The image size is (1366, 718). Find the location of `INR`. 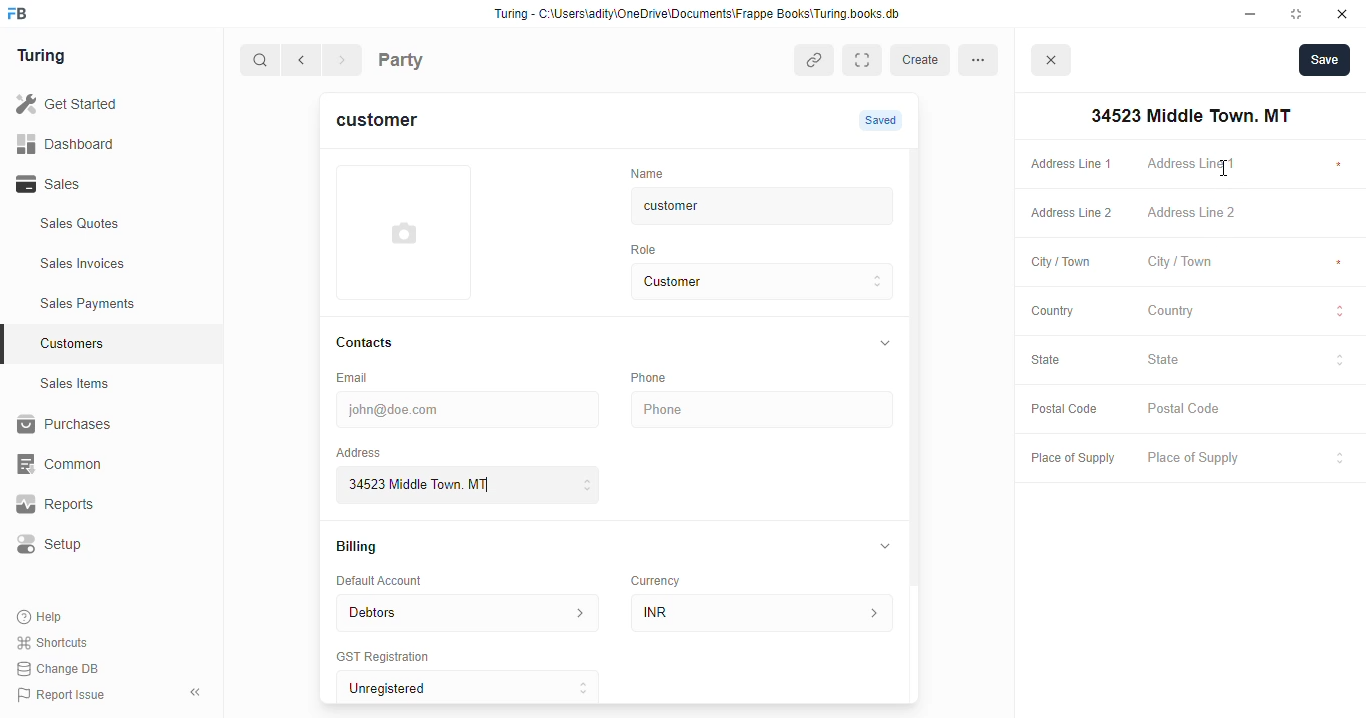

INR is located at coordinates (766, 612).